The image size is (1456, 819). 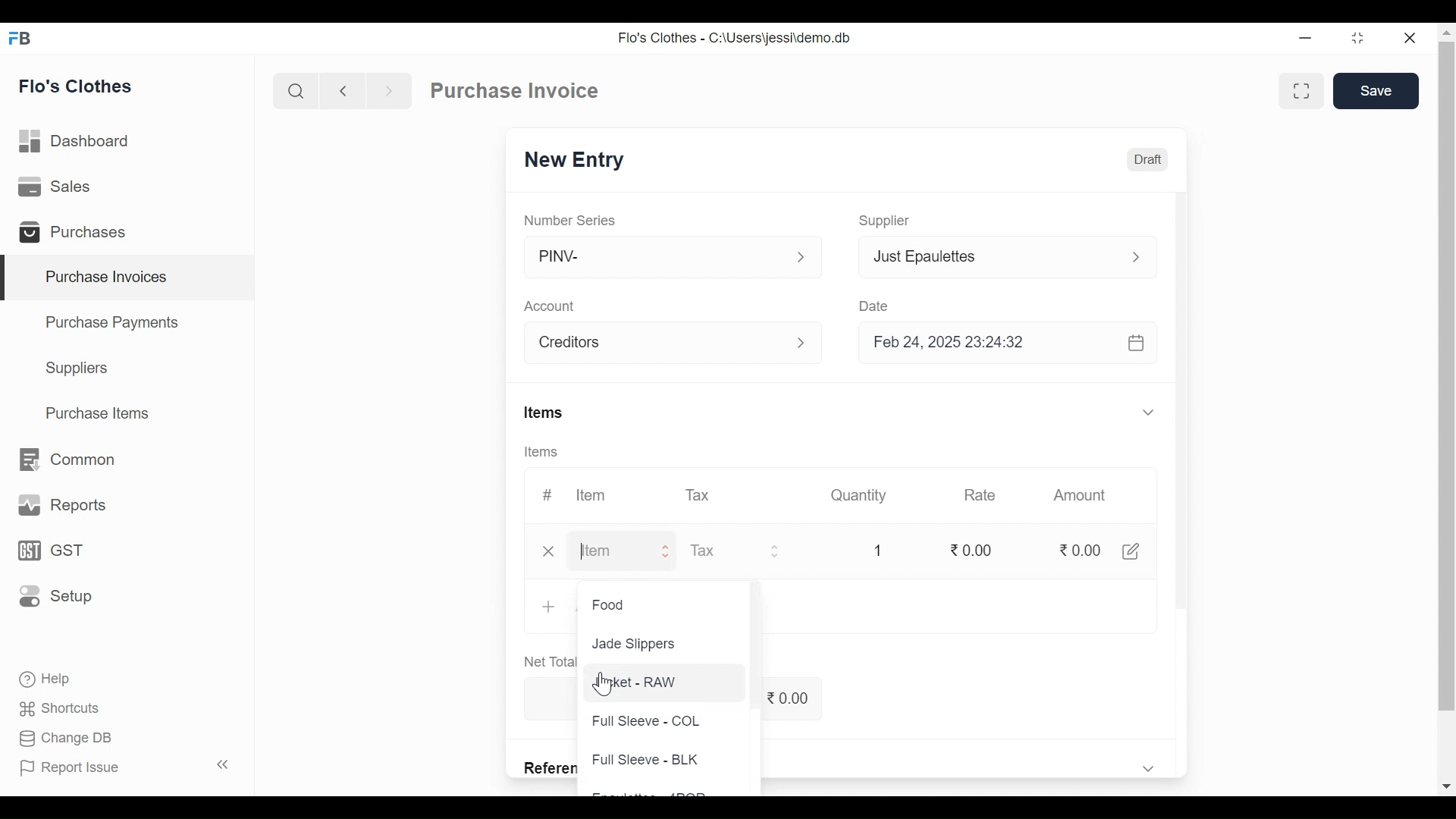 I want to click on Purchase Payments, so click(x=111, y=322).